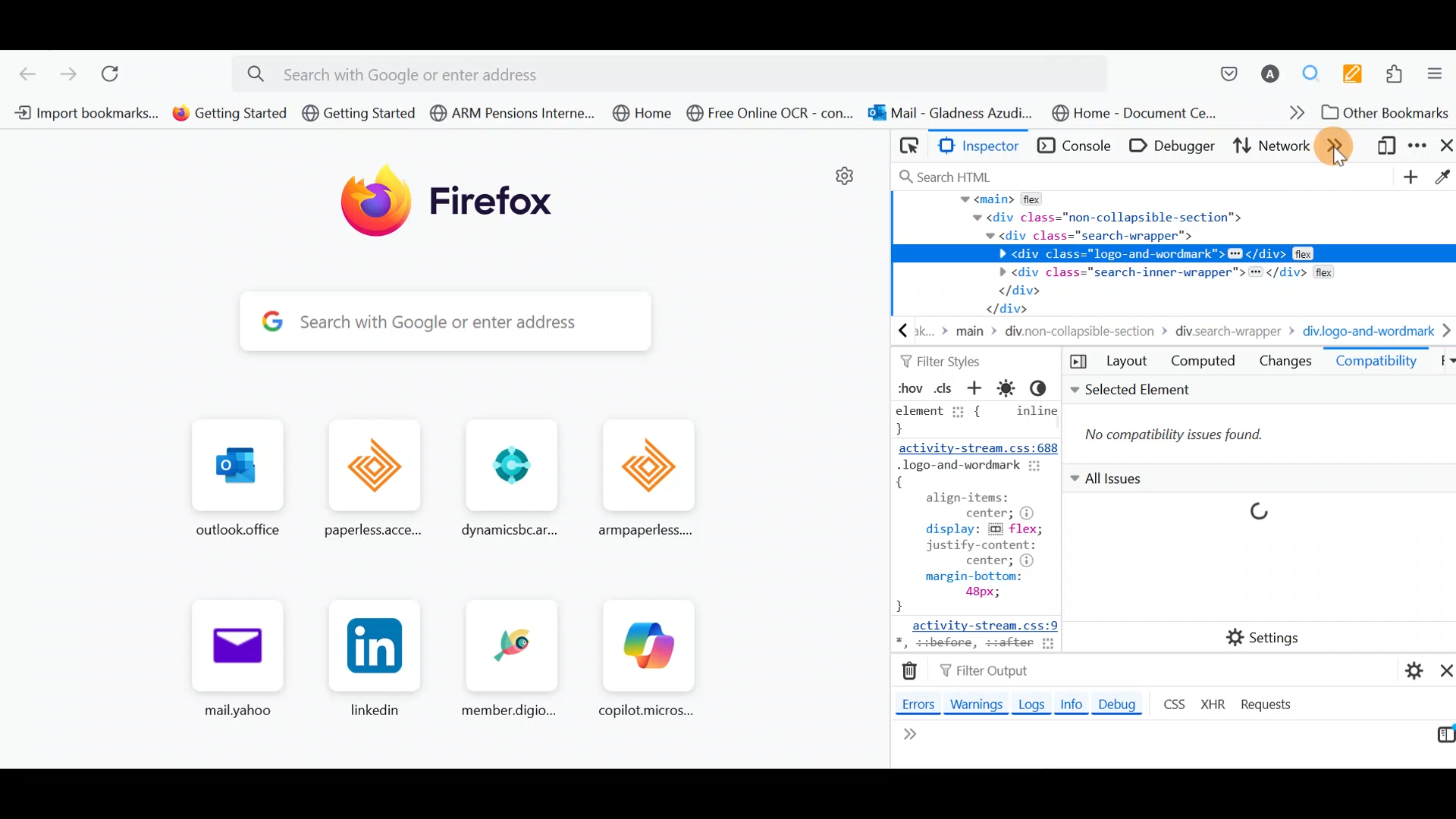  What do you see at coordinates (1258, 422) in the screenshot?
I see `Selected element` at bounding box center [1258, 422].